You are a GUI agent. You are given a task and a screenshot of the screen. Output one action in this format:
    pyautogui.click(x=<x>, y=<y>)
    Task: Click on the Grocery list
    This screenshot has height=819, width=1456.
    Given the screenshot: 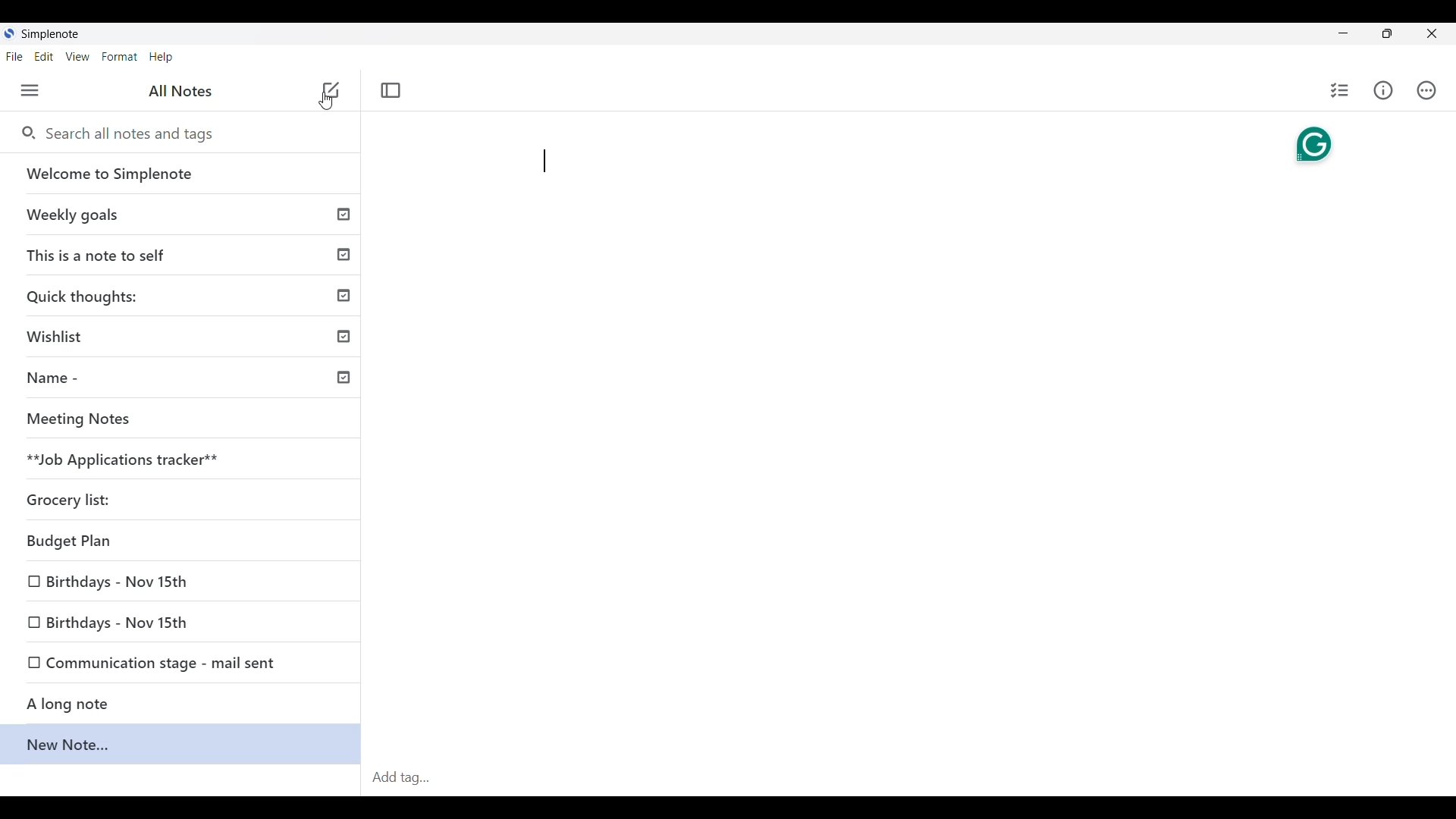 What is the action you would take?
    pyautogui.click(x=108, y=497)
    